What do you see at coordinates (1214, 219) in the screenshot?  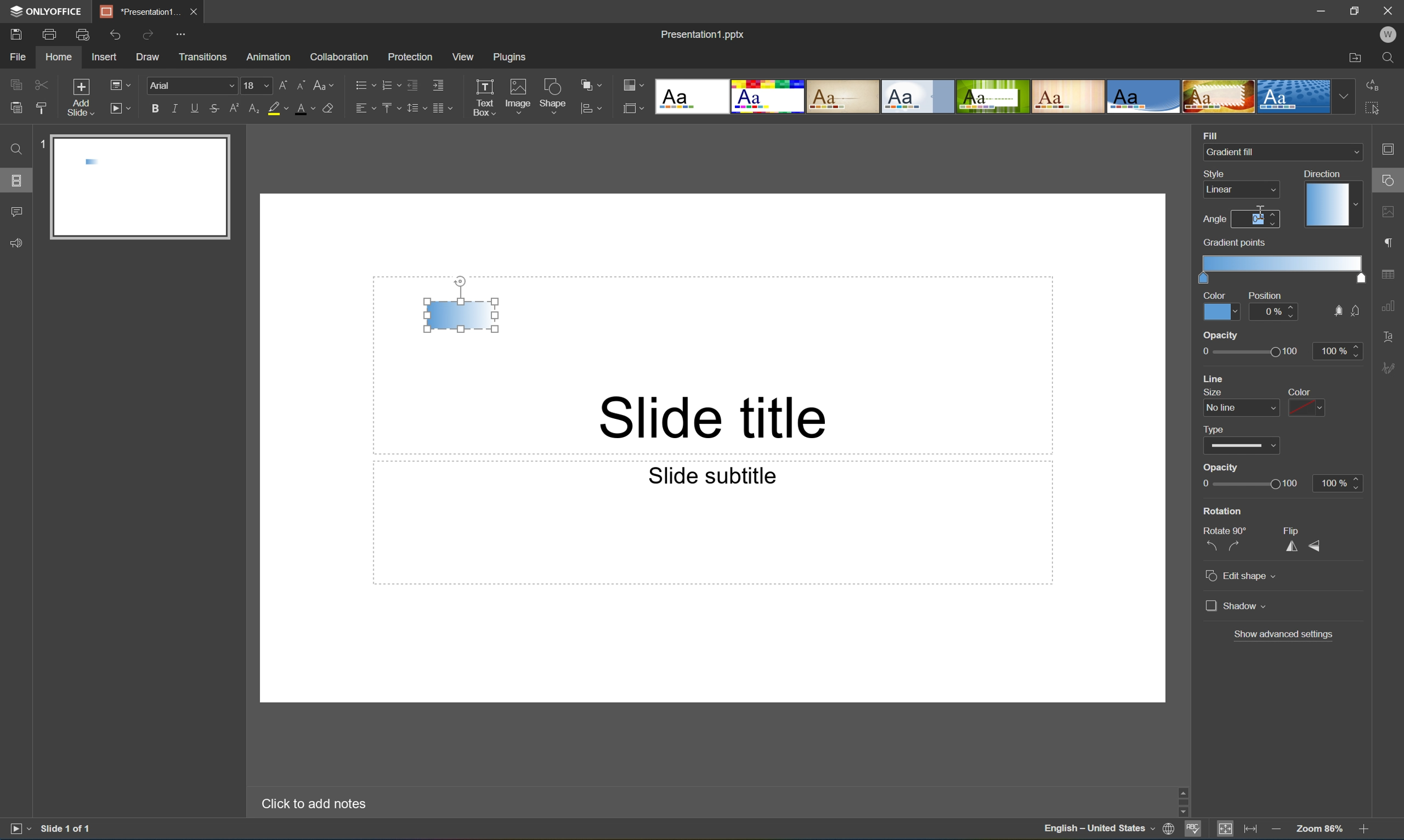 I see `Angle` at bounding box center [1214, 219].